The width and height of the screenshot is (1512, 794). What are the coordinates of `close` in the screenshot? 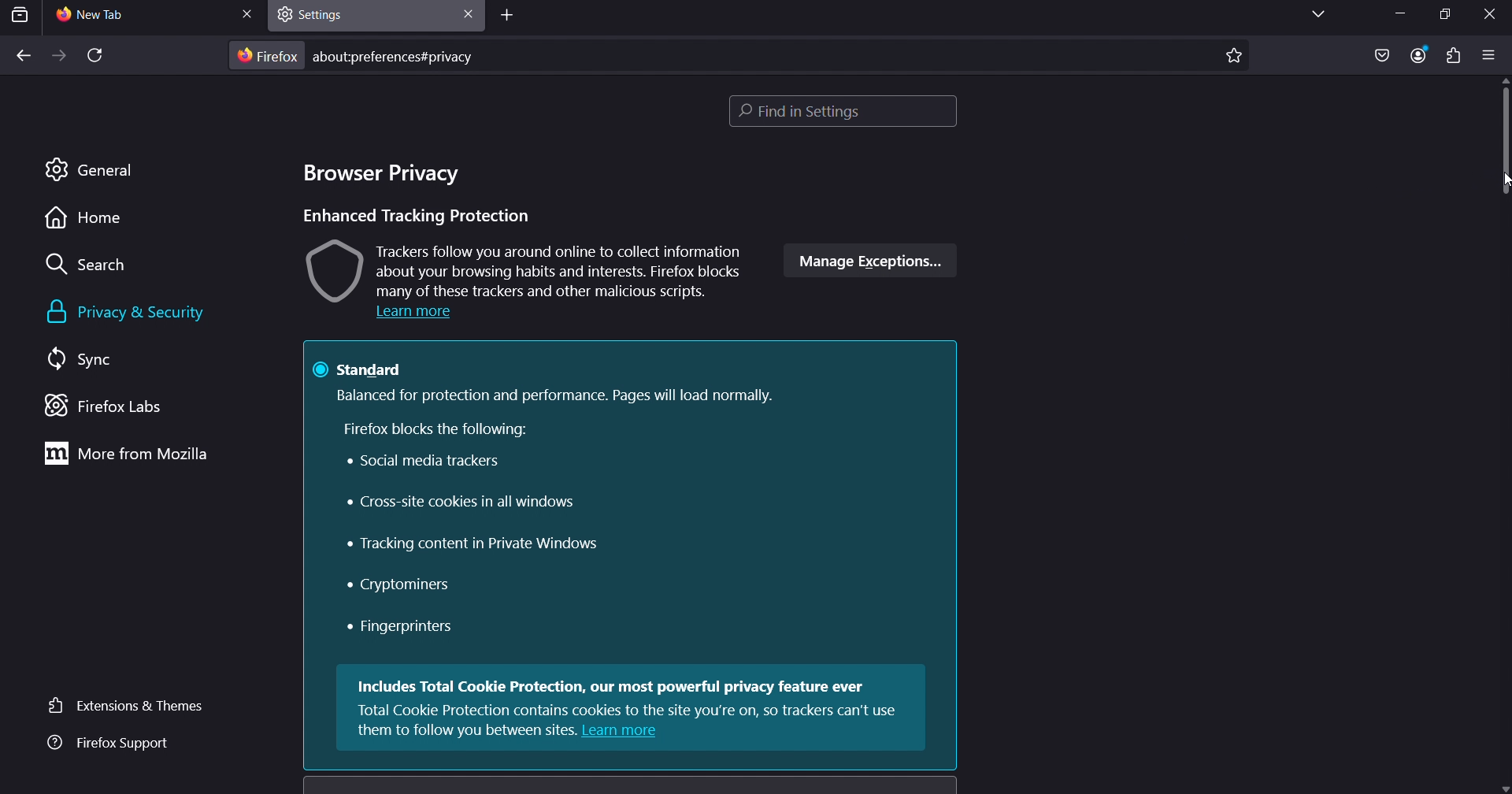 It's located at (1492, 13).